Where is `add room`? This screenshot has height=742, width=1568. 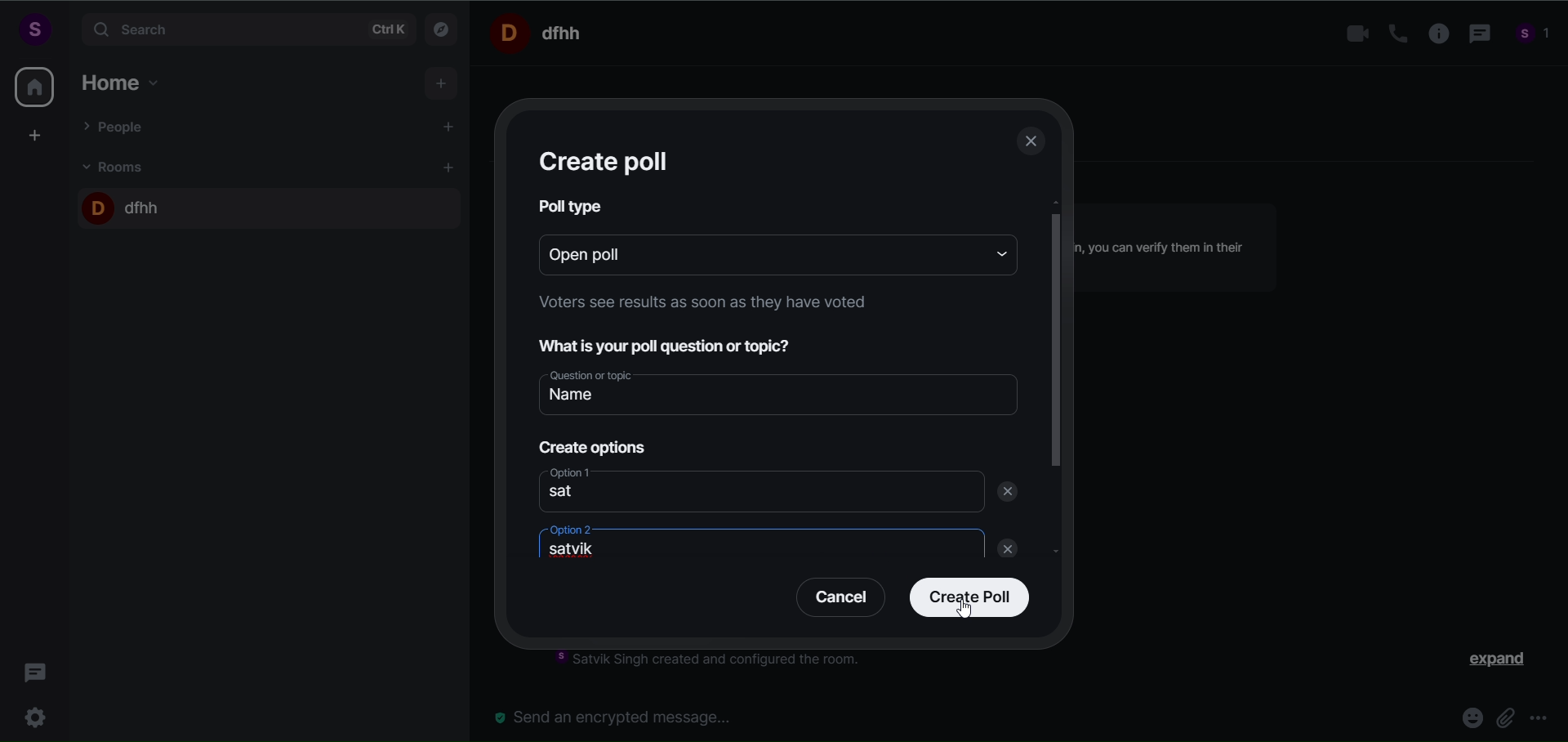 add room is located at coordinates (451, 168).